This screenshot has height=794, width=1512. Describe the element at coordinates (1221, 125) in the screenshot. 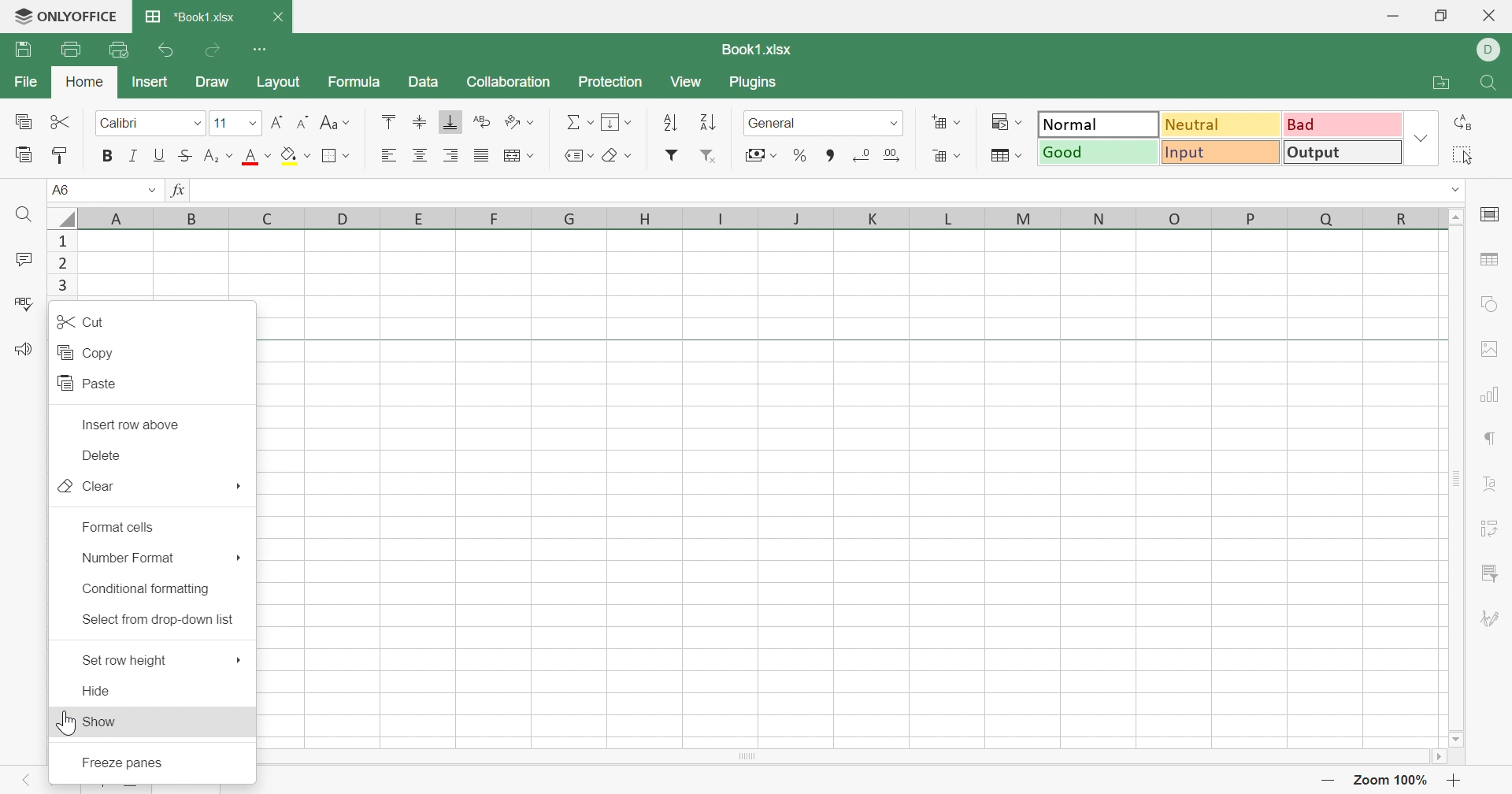

I see `Neutral` at that location.